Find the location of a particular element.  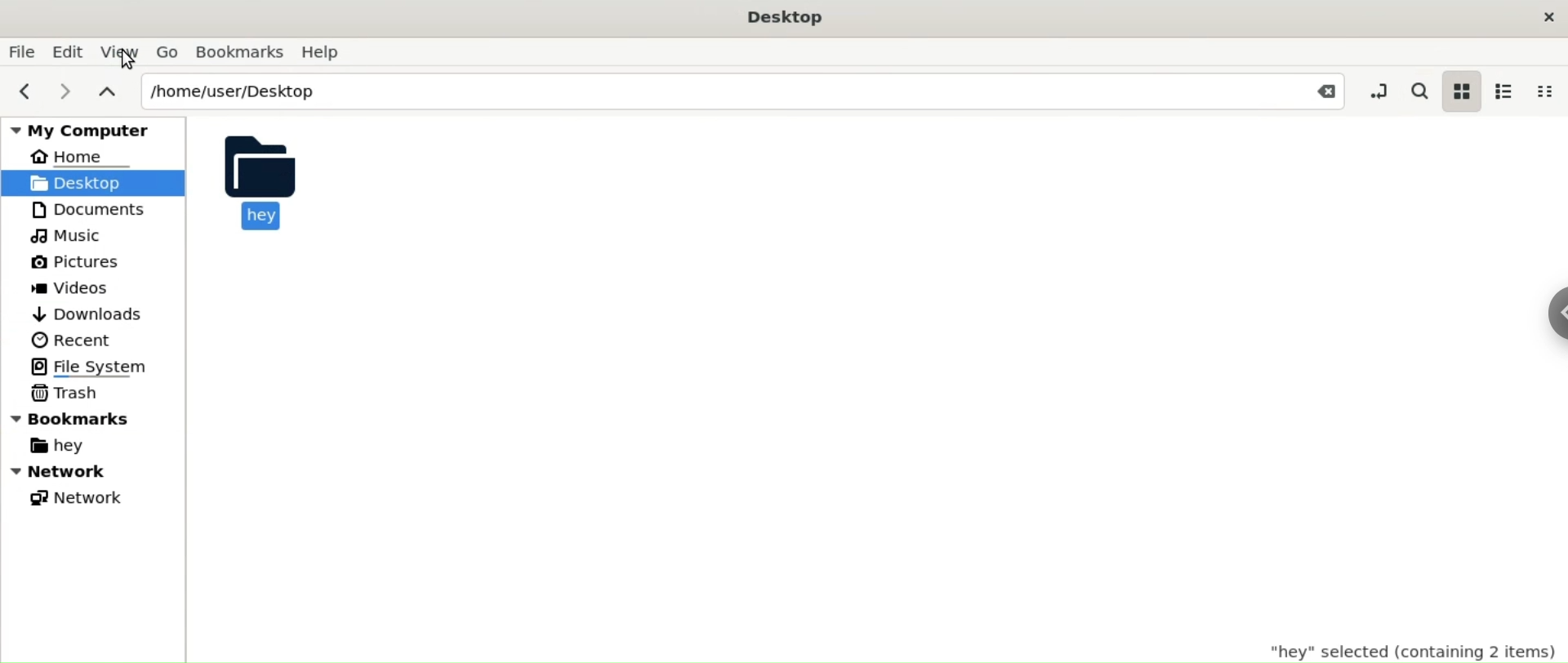

compact view is located at coordinates (1549, 90).